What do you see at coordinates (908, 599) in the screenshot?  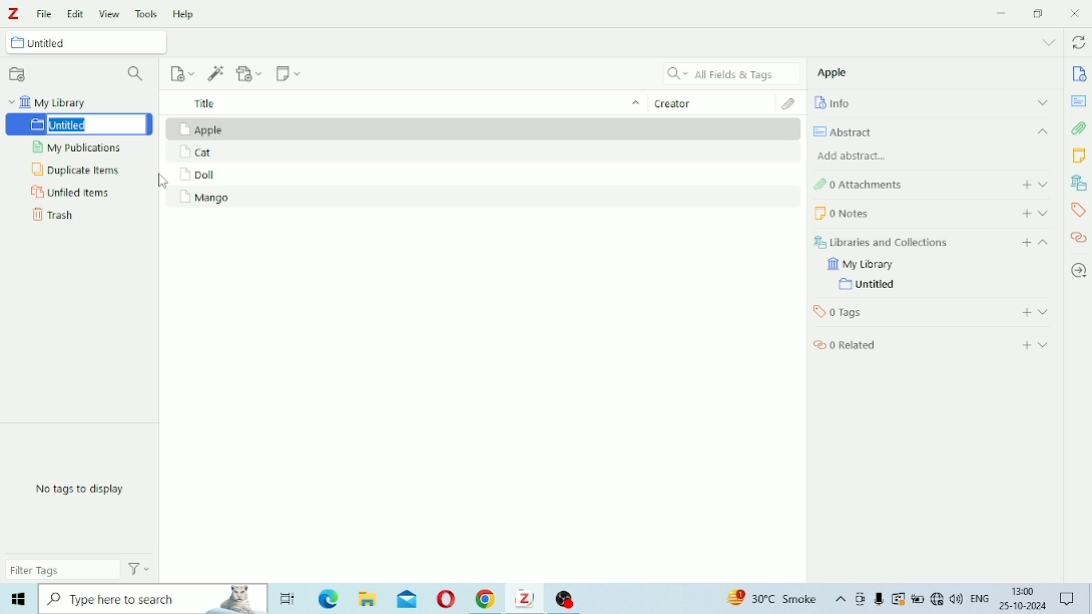 I see `` at bounding box center [908, 599].